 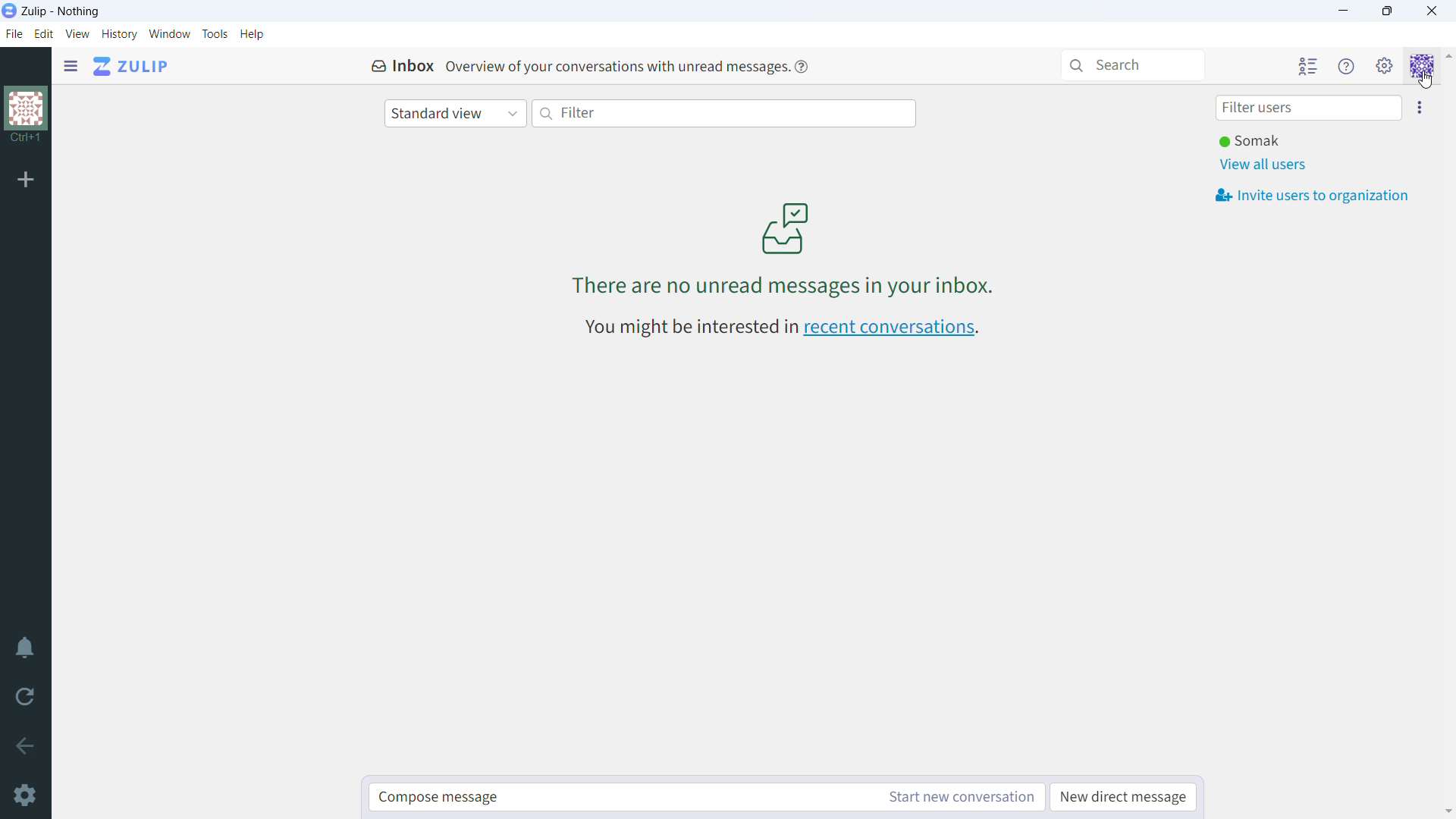 I want to click on minimize, so click(x=1341, y=11).